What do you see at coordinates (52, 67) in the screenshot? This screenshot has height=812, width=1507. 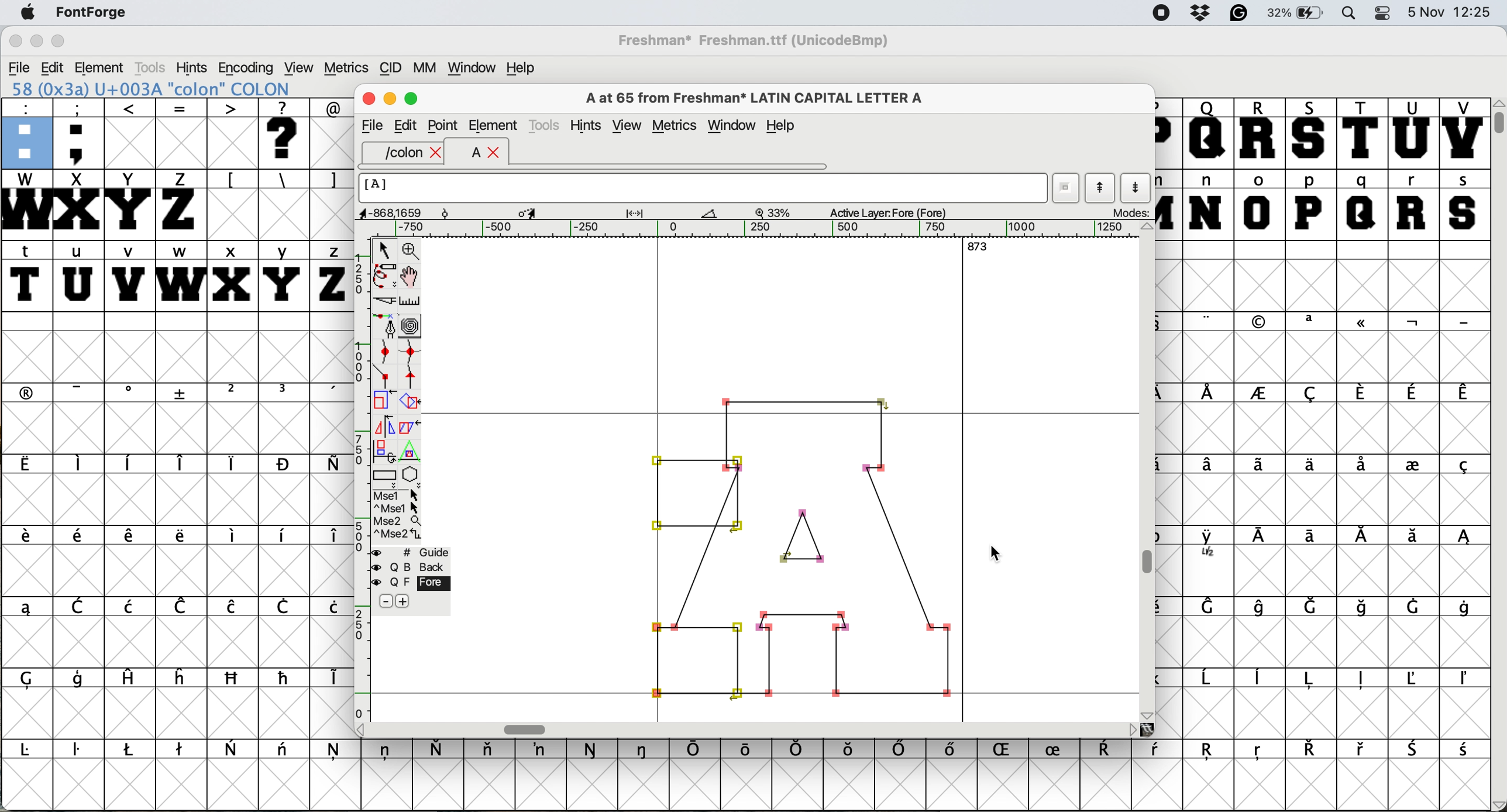 I see `edit` at bounding box center [52, 67].